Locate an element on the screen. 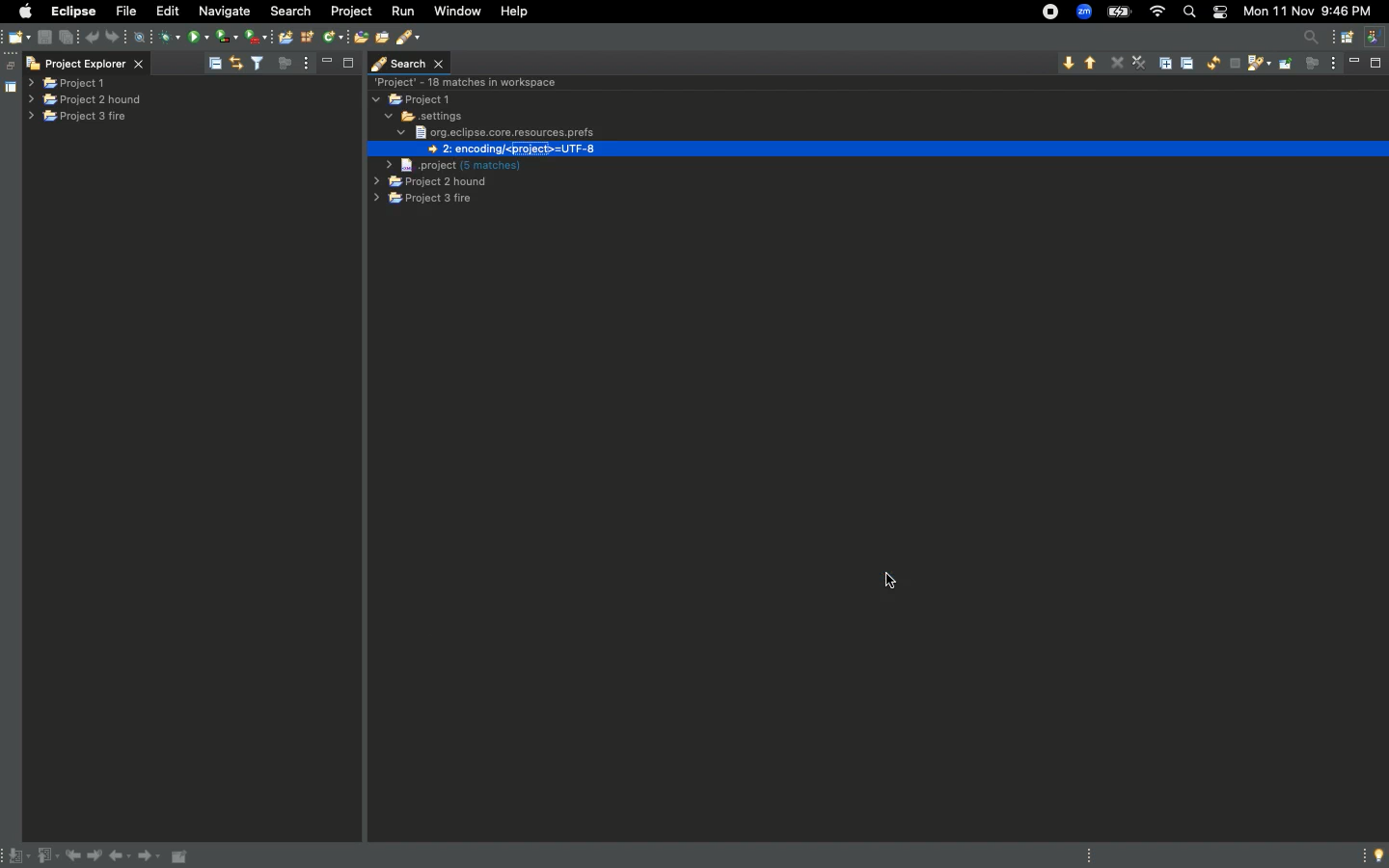 This screenshot has width=1389, height=868. Project (5 matches) is located at coordinates (453, 164).